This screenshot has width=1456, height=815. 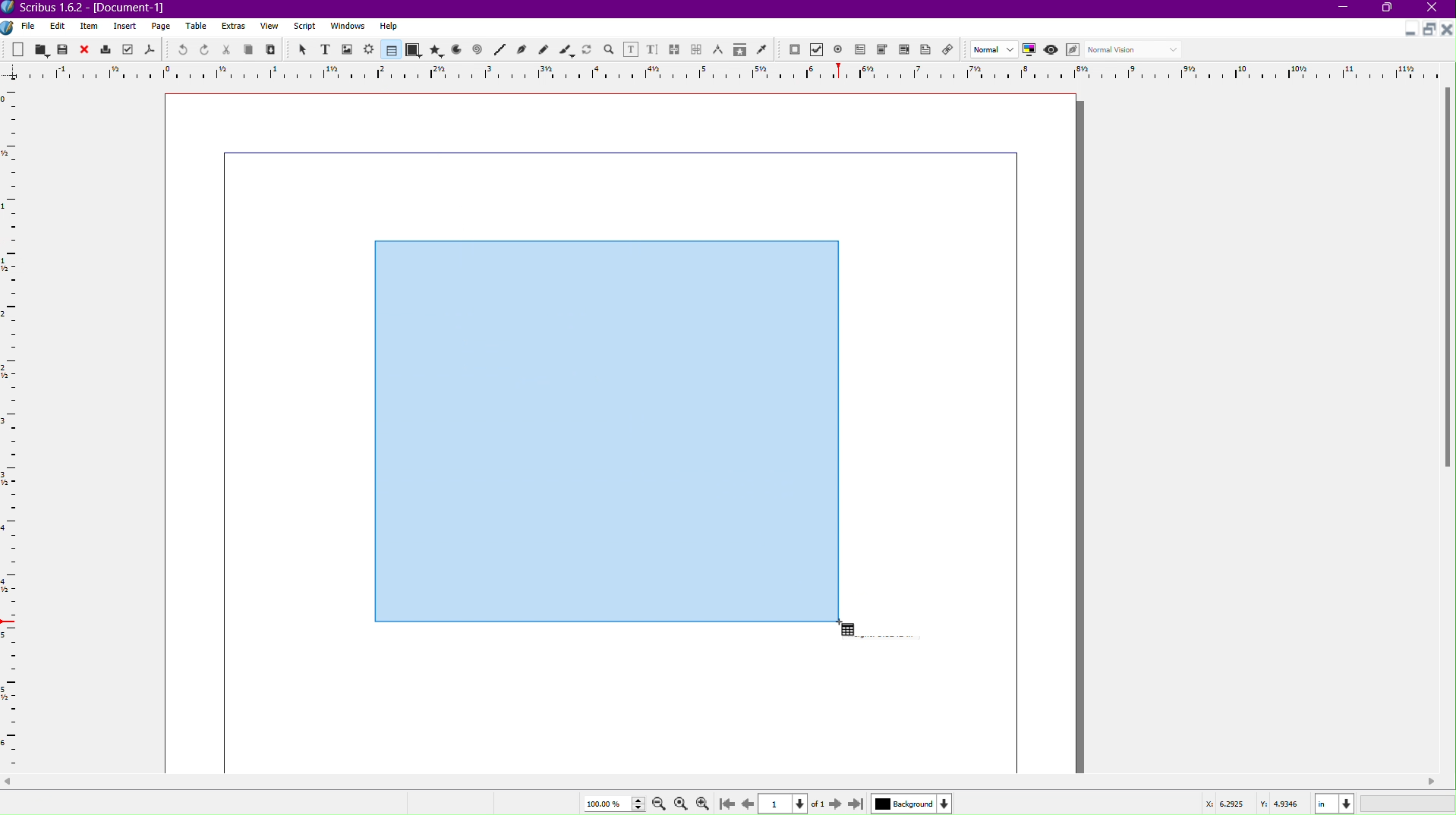 What do you see at coordinates (845, 630) in the screenshot?
I see `Cursor` at bounding box center [845, 630].